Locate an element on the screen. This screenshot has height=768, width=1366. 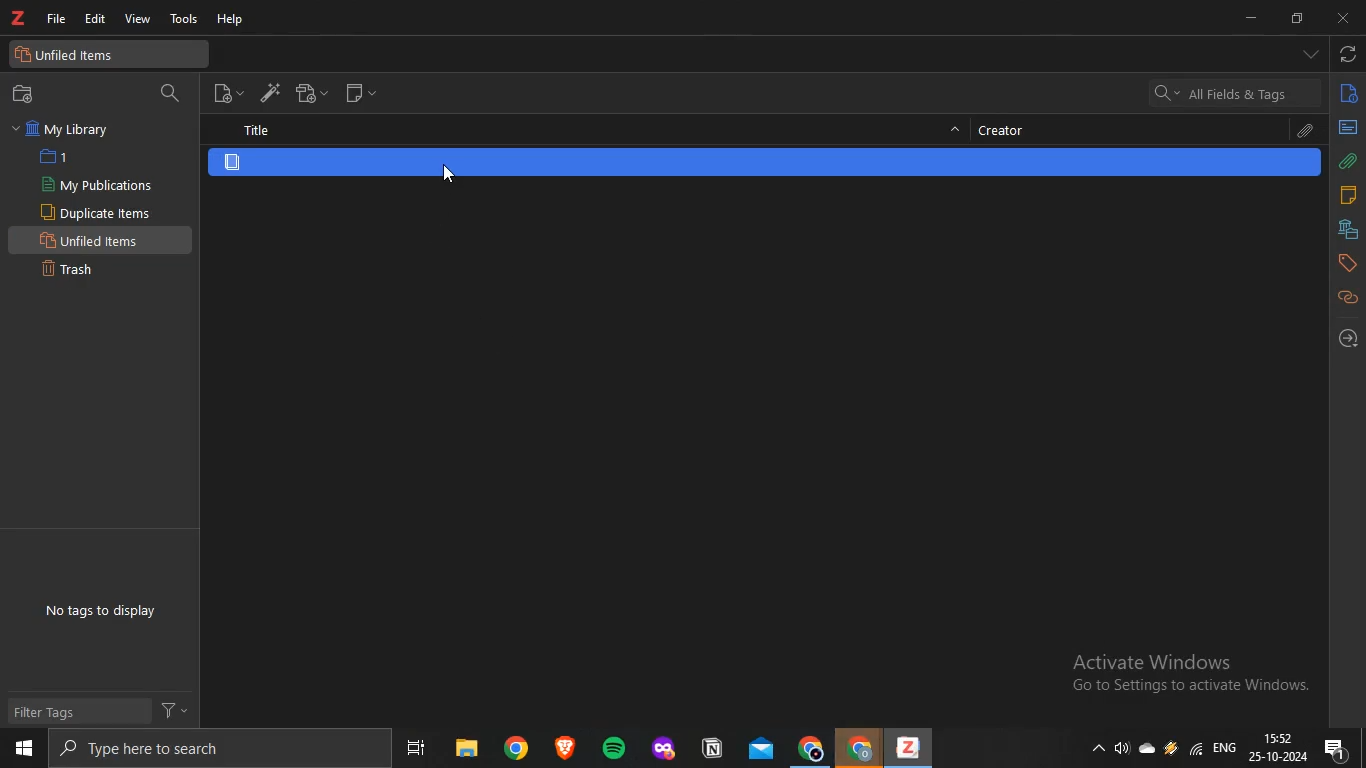
spotify is located at coordinates (609, 746).